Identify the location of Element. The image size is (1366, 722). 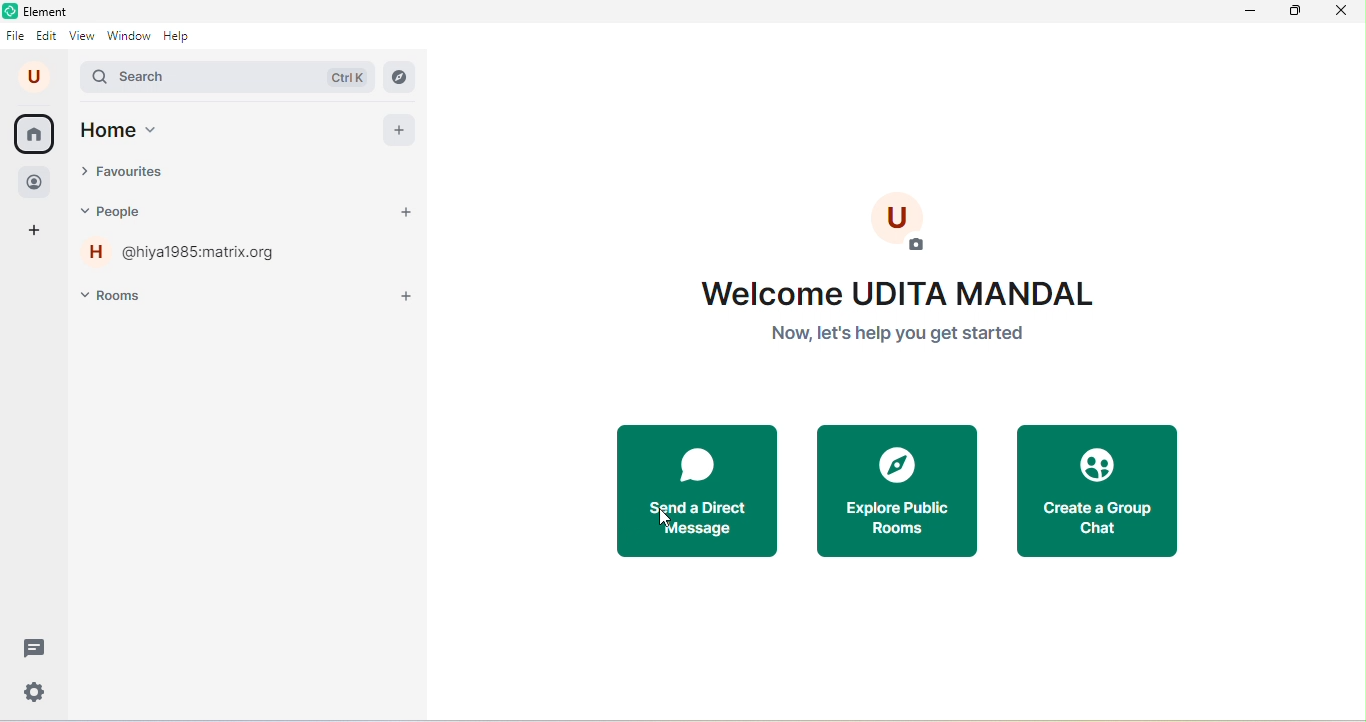
(38, 10).